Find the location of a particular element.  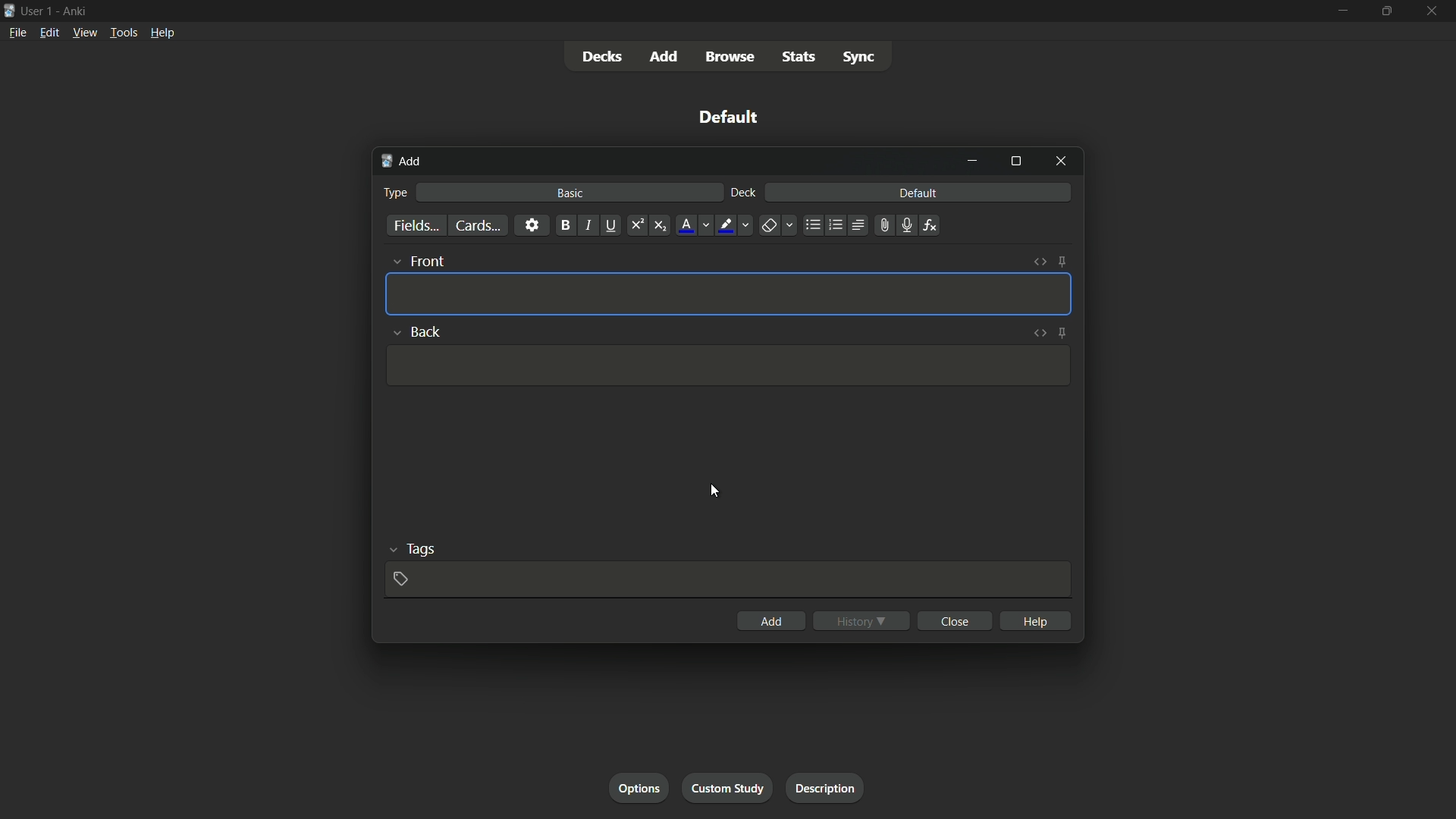

italic is located at coordinates (587, 224).